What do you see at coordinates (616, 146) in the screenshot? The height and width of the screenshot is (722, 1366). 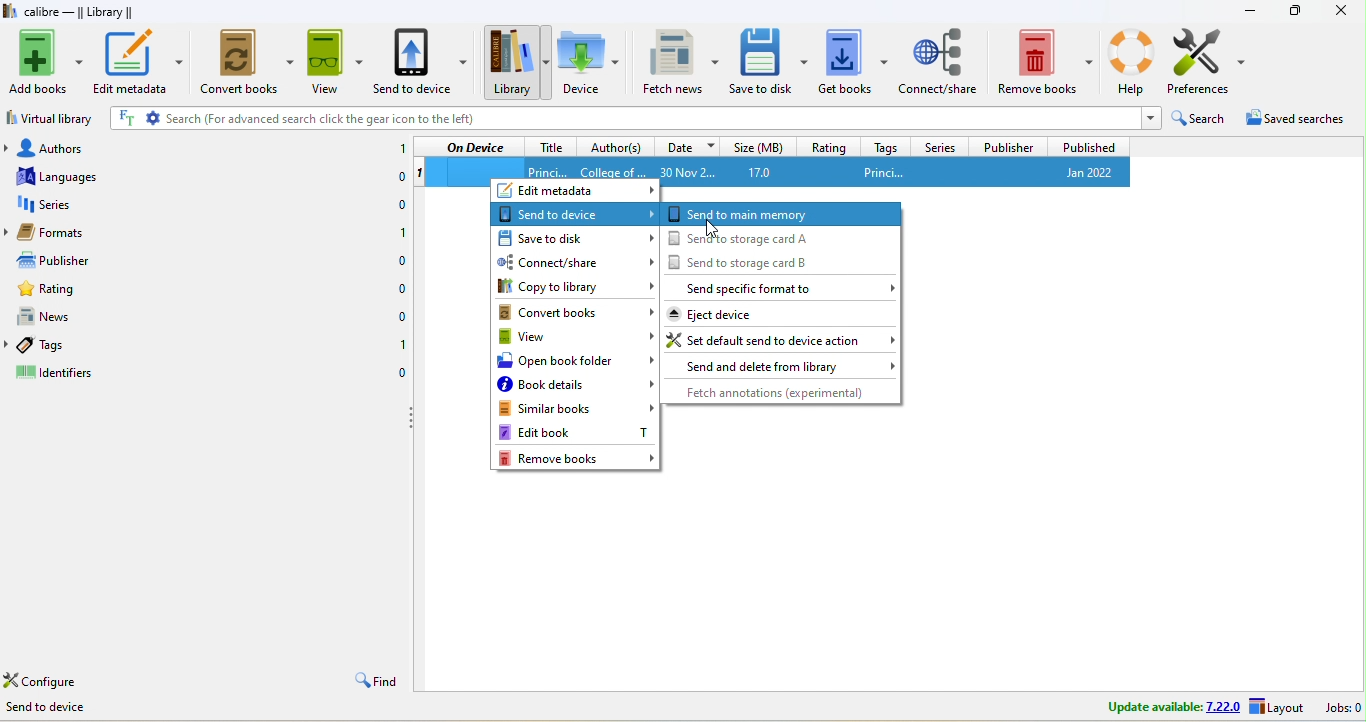 I see `author(s)` at bounding box center [616, 146].